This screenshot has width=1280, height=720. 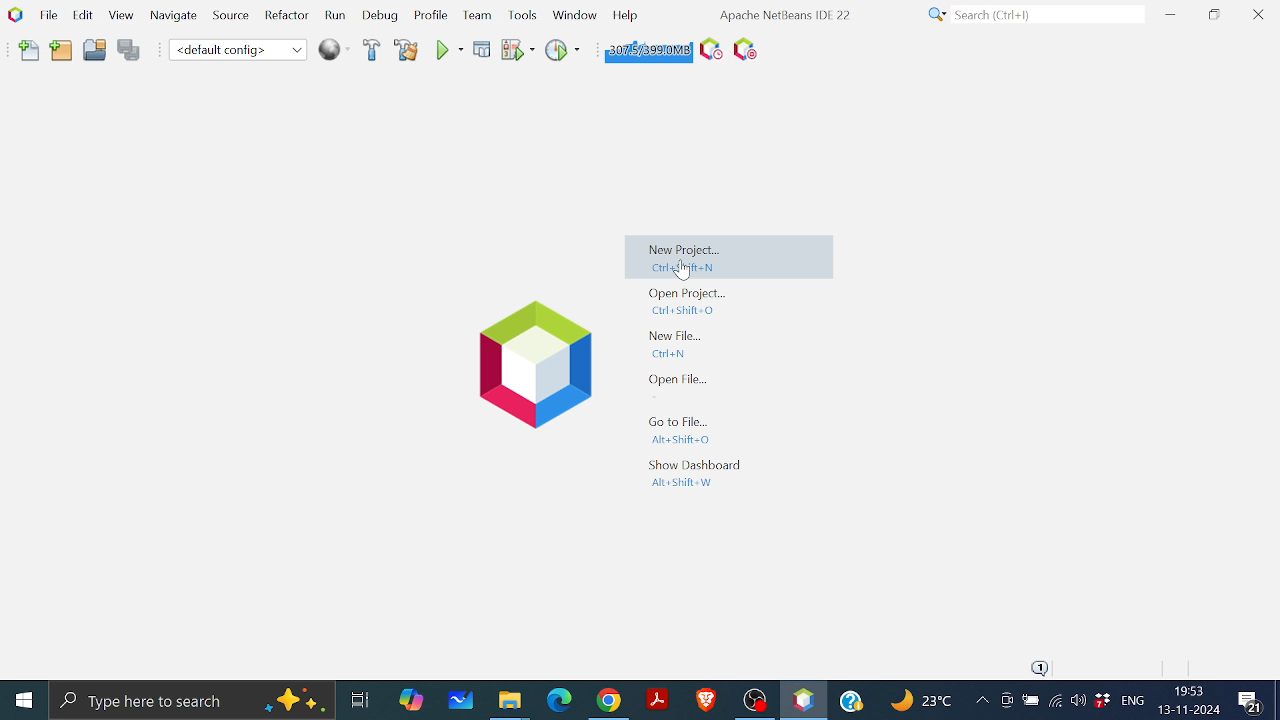 What do you see at coordinates (524, 14) in the screenshot?
I see `Tools` at bounding box center [524, 14].